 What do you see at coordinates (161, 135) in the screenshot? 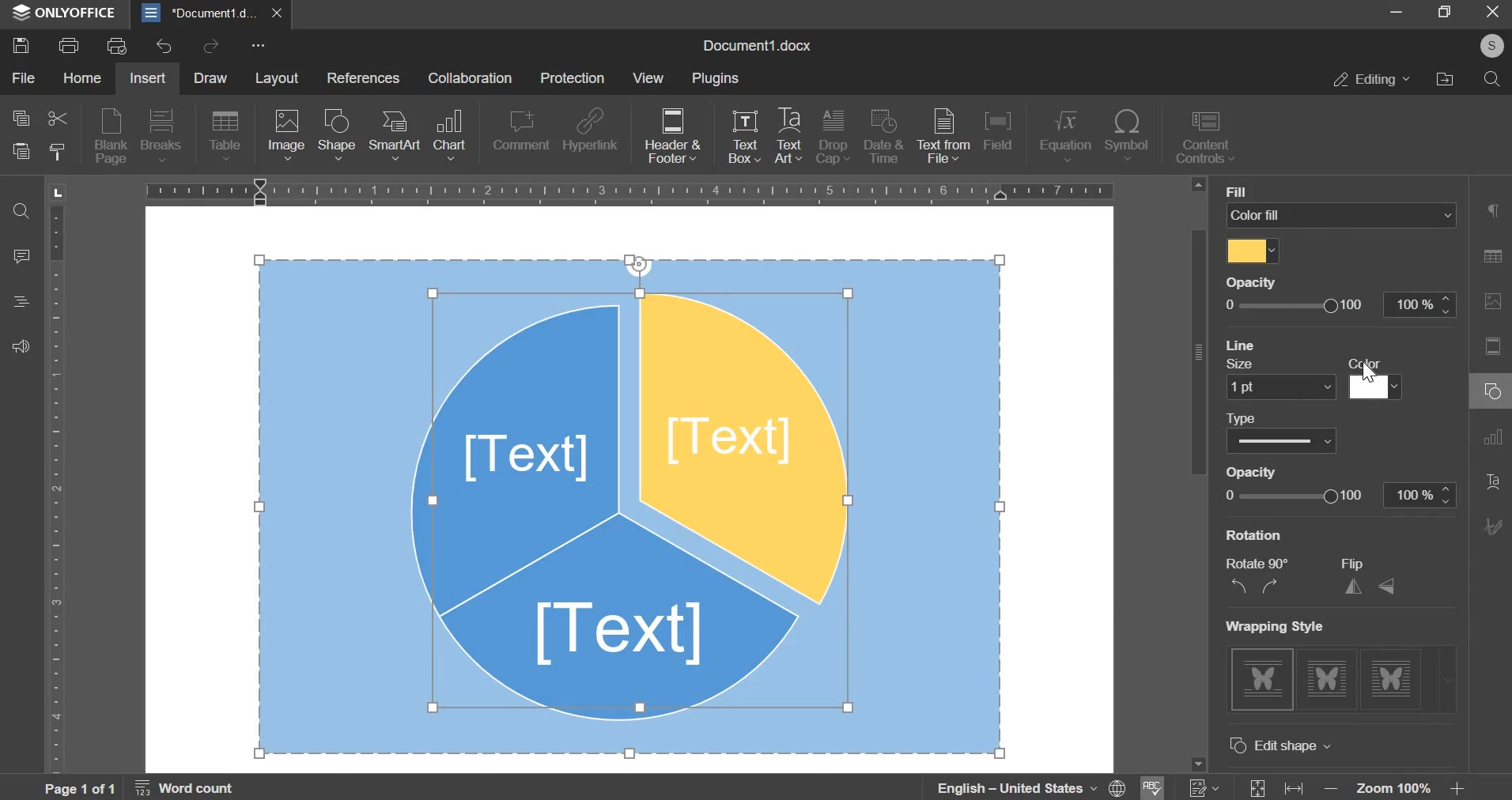
I see `breaks` at bounding box center [161, 135].